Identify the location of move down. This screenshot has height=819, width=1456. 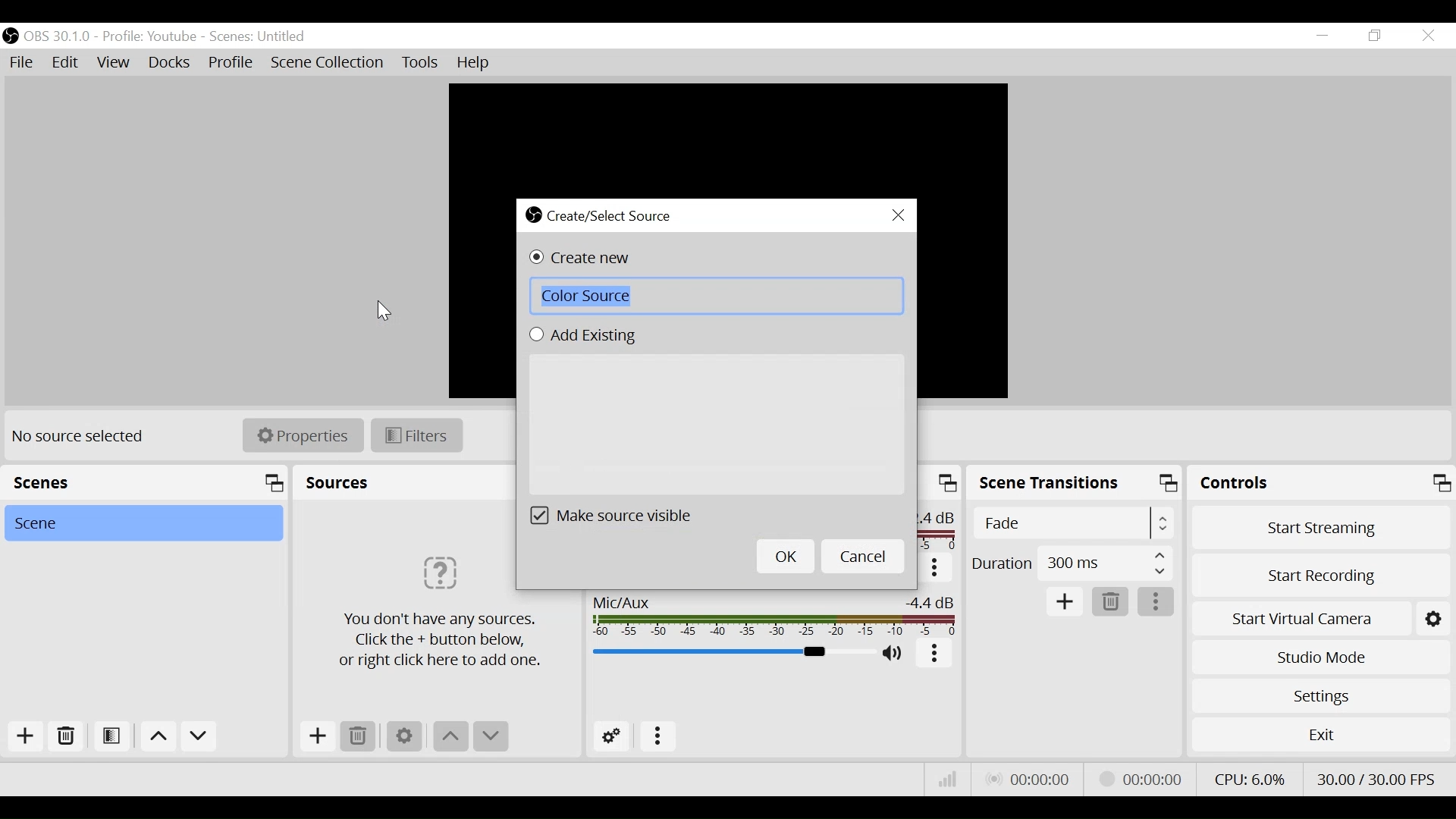
(201, 737).